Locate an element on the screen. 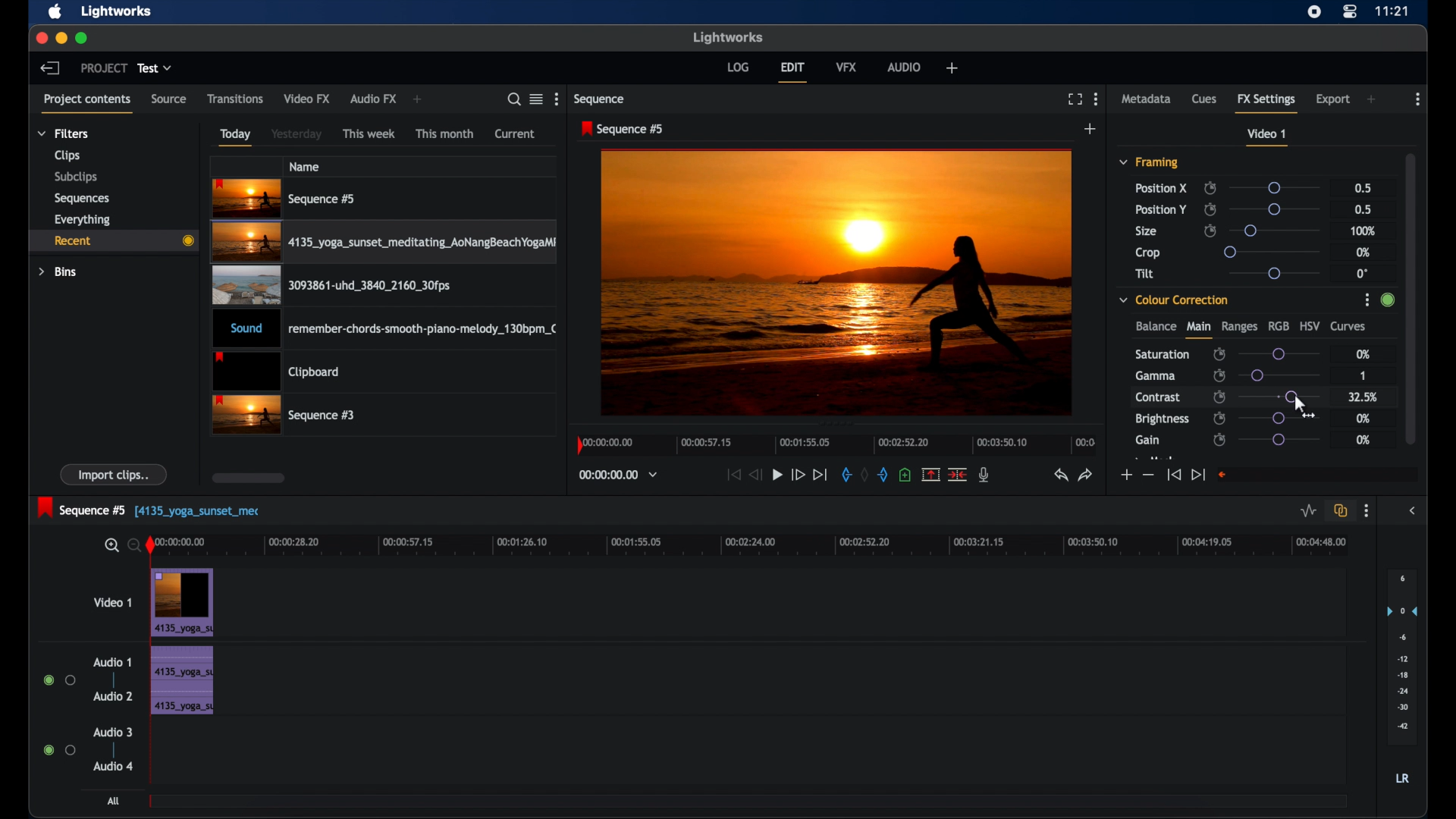  add is located at coordinates (1373, 99).